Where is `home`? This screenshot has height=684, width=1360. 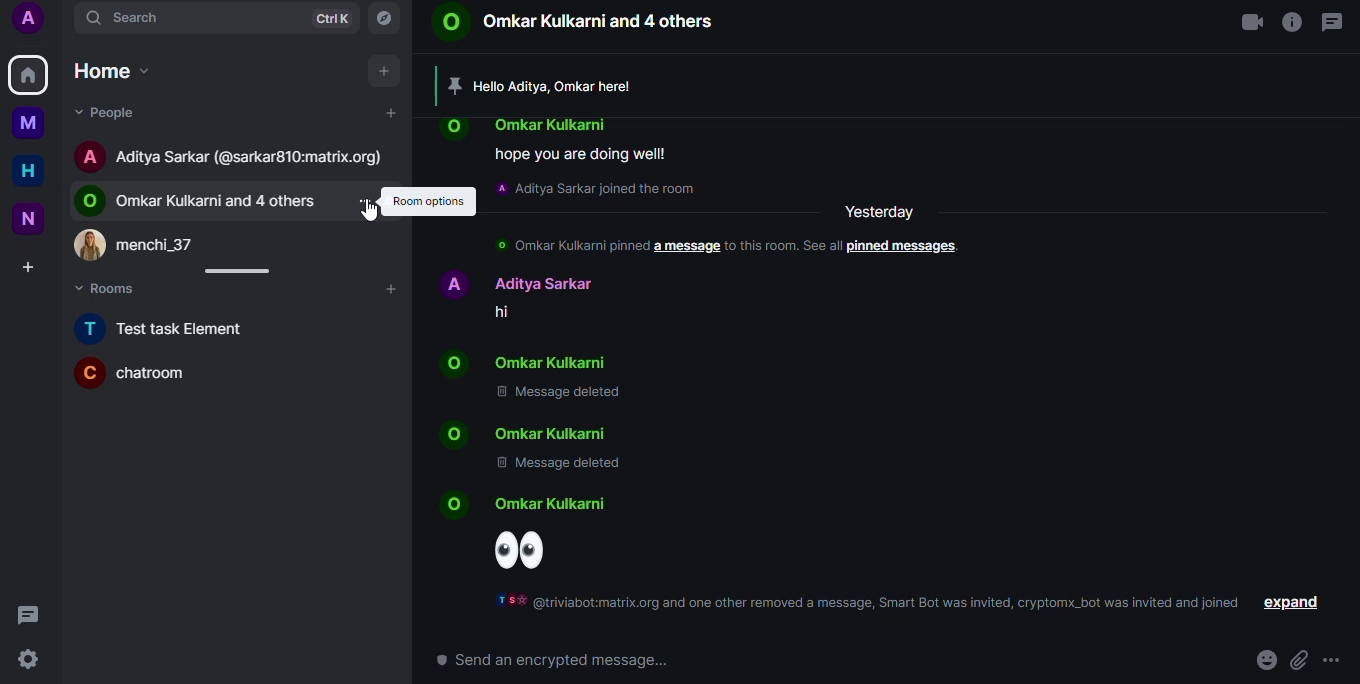
home is located at coordinates (29, 74).